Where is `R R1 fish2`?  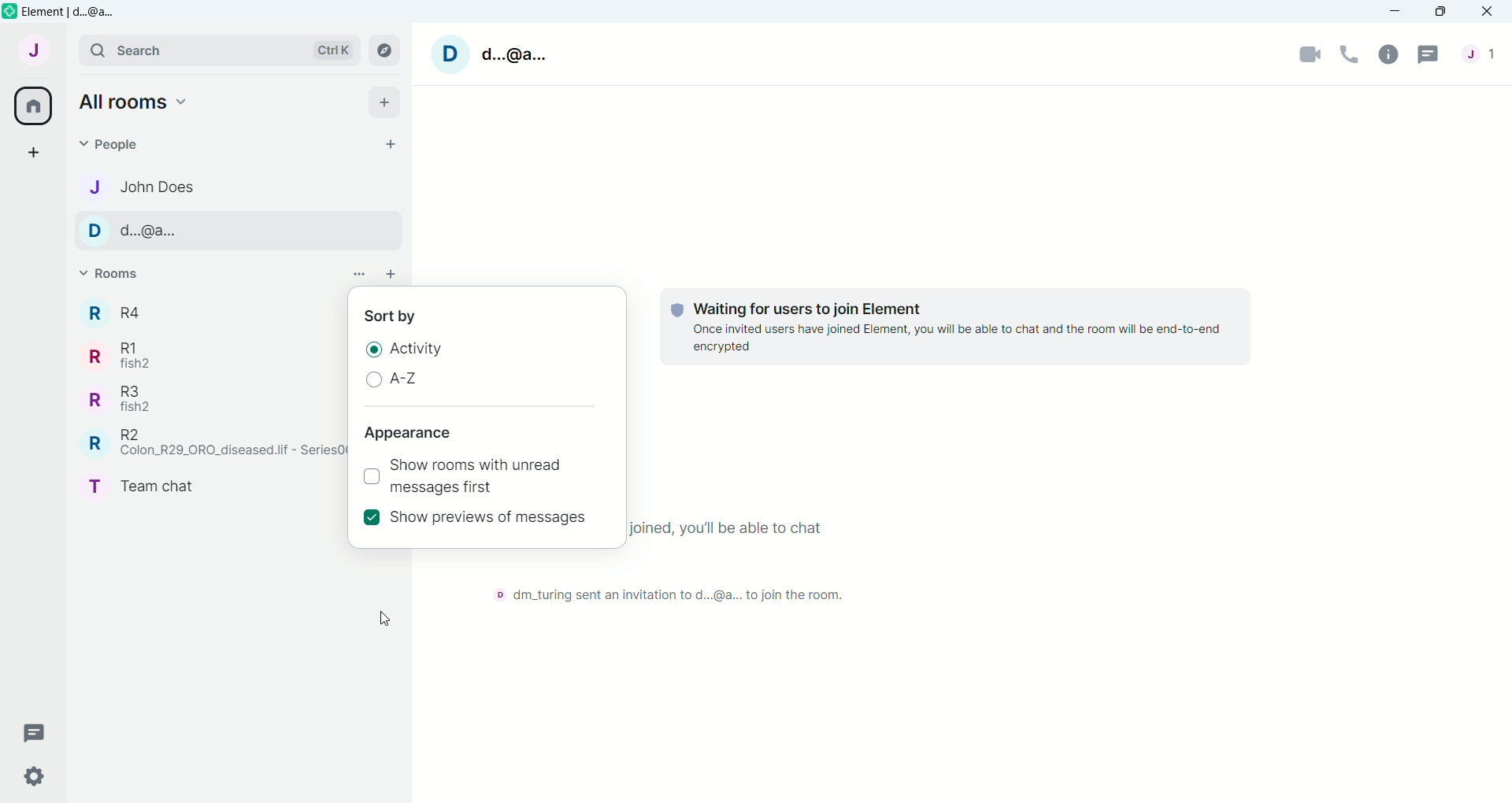 R R1 fish2 is located at coordinates (127, 354).